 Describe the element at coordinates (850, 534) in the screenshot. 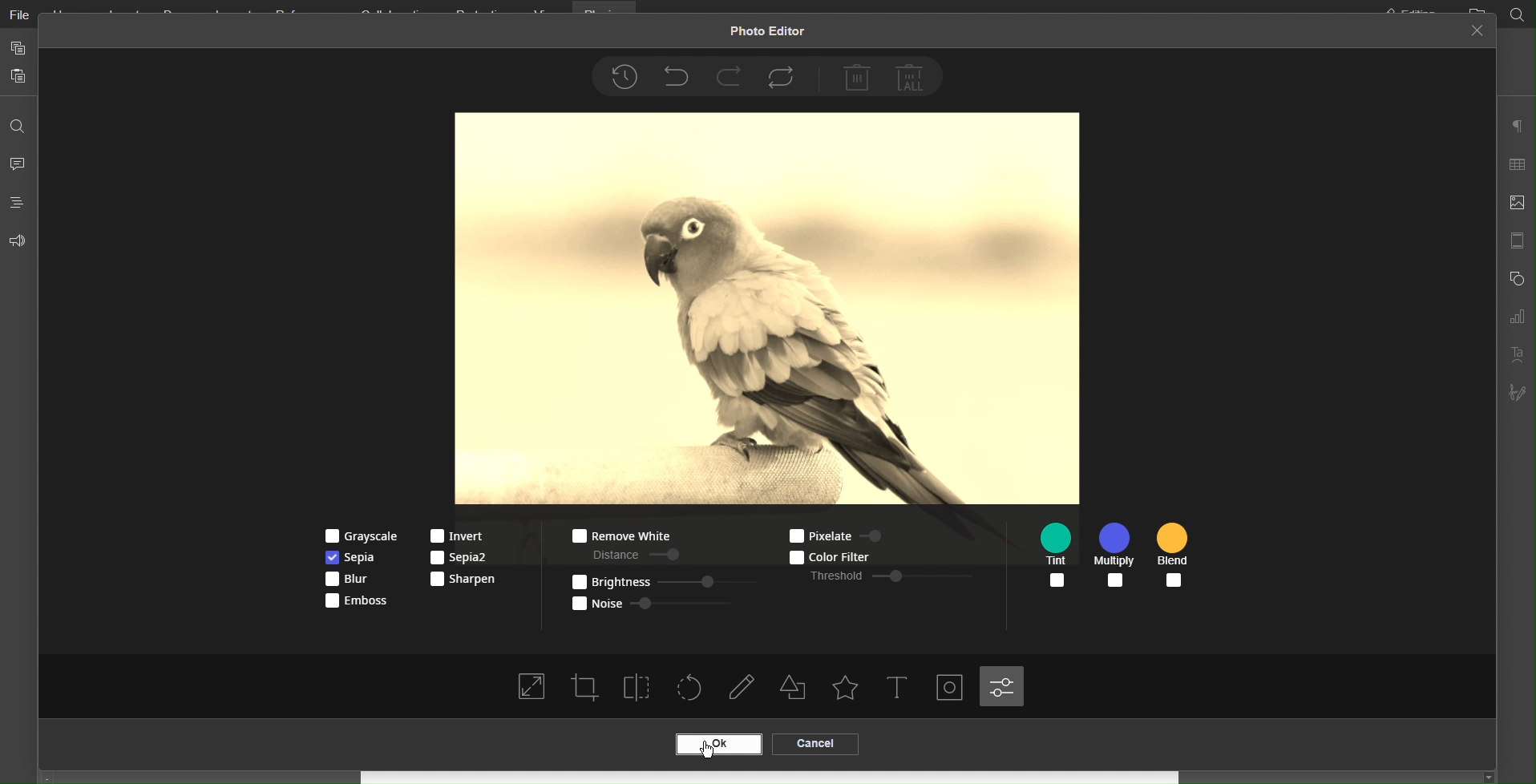

I see `Pixelate` at that location.